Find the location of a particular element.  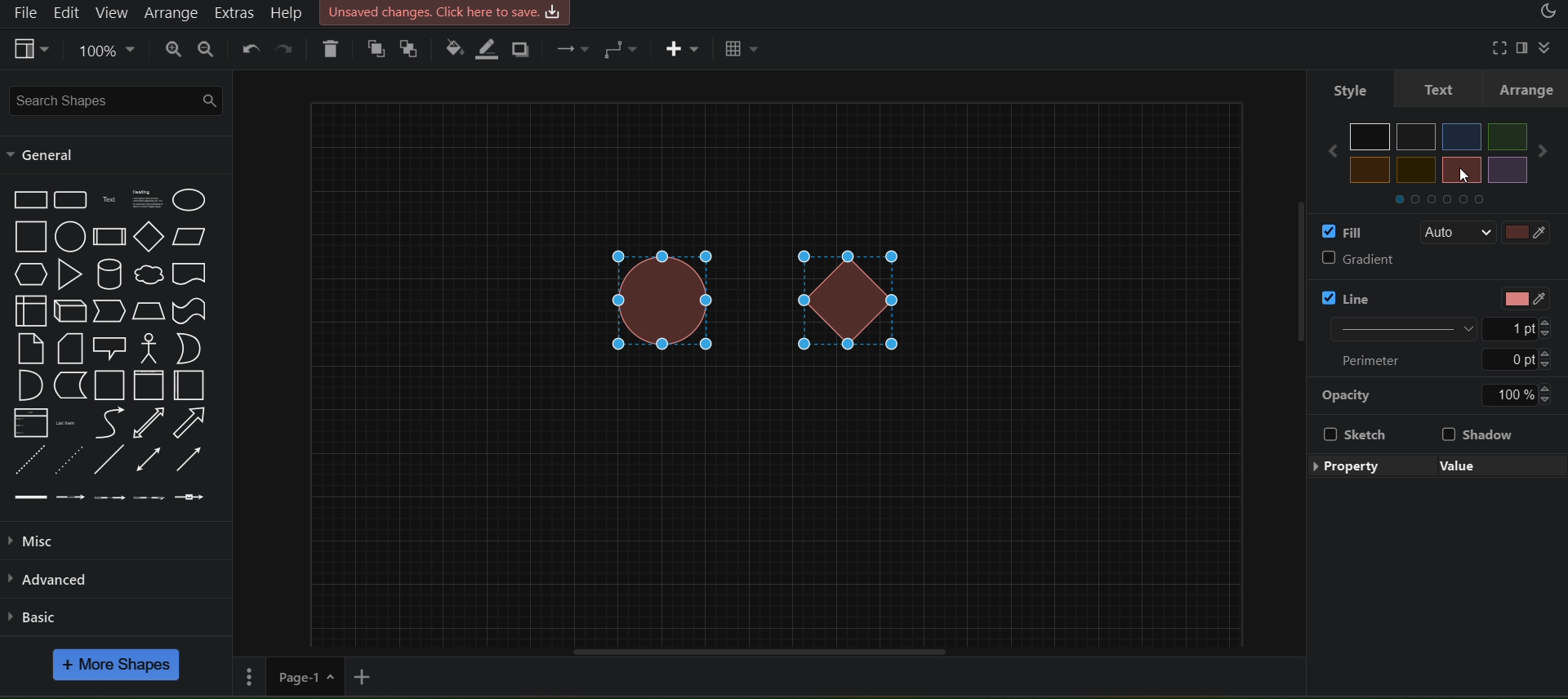

List is located at coordinates (31, 423).